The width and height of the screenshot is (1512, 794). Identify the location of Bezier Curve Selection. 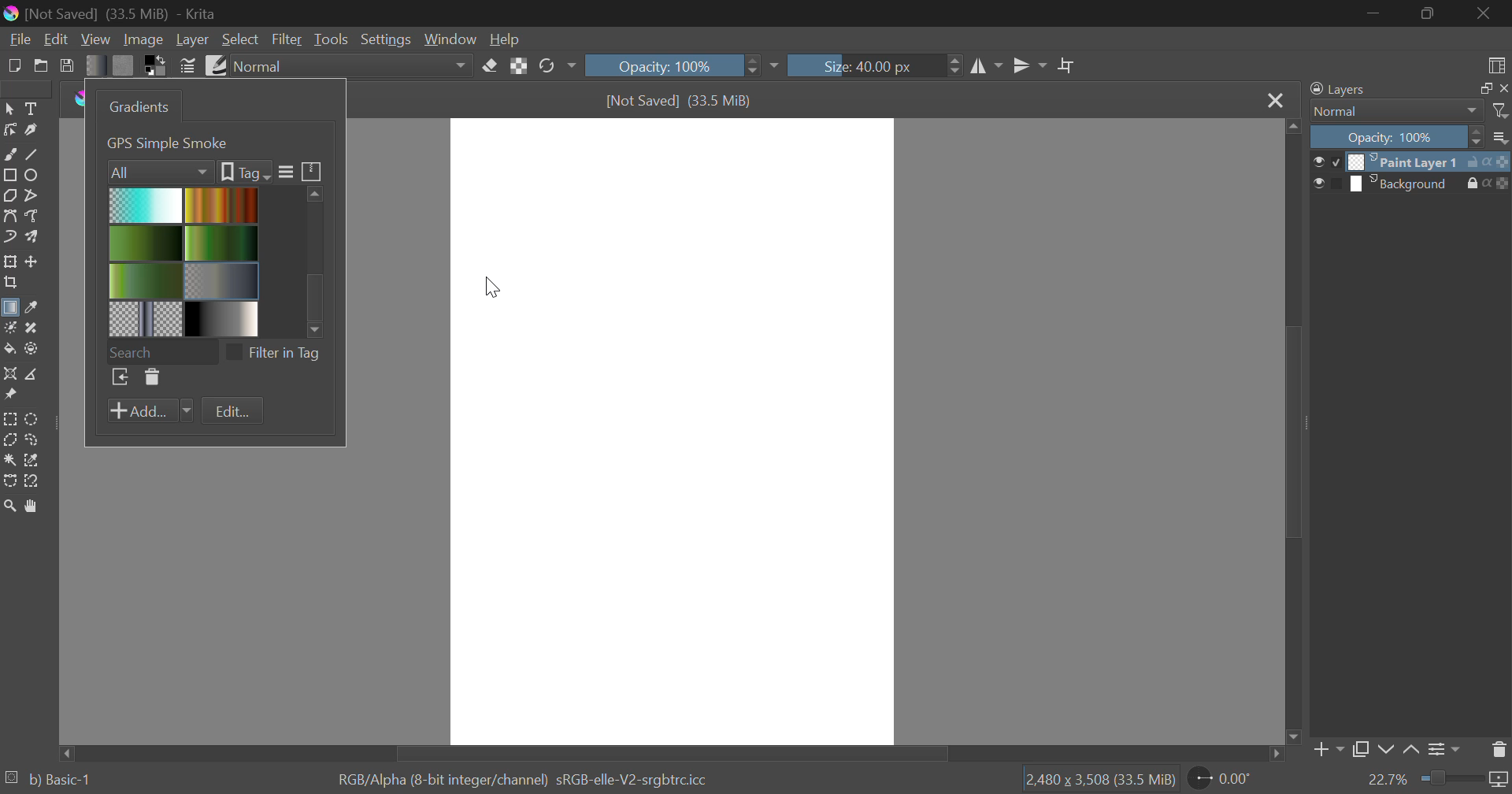
(9, 479).